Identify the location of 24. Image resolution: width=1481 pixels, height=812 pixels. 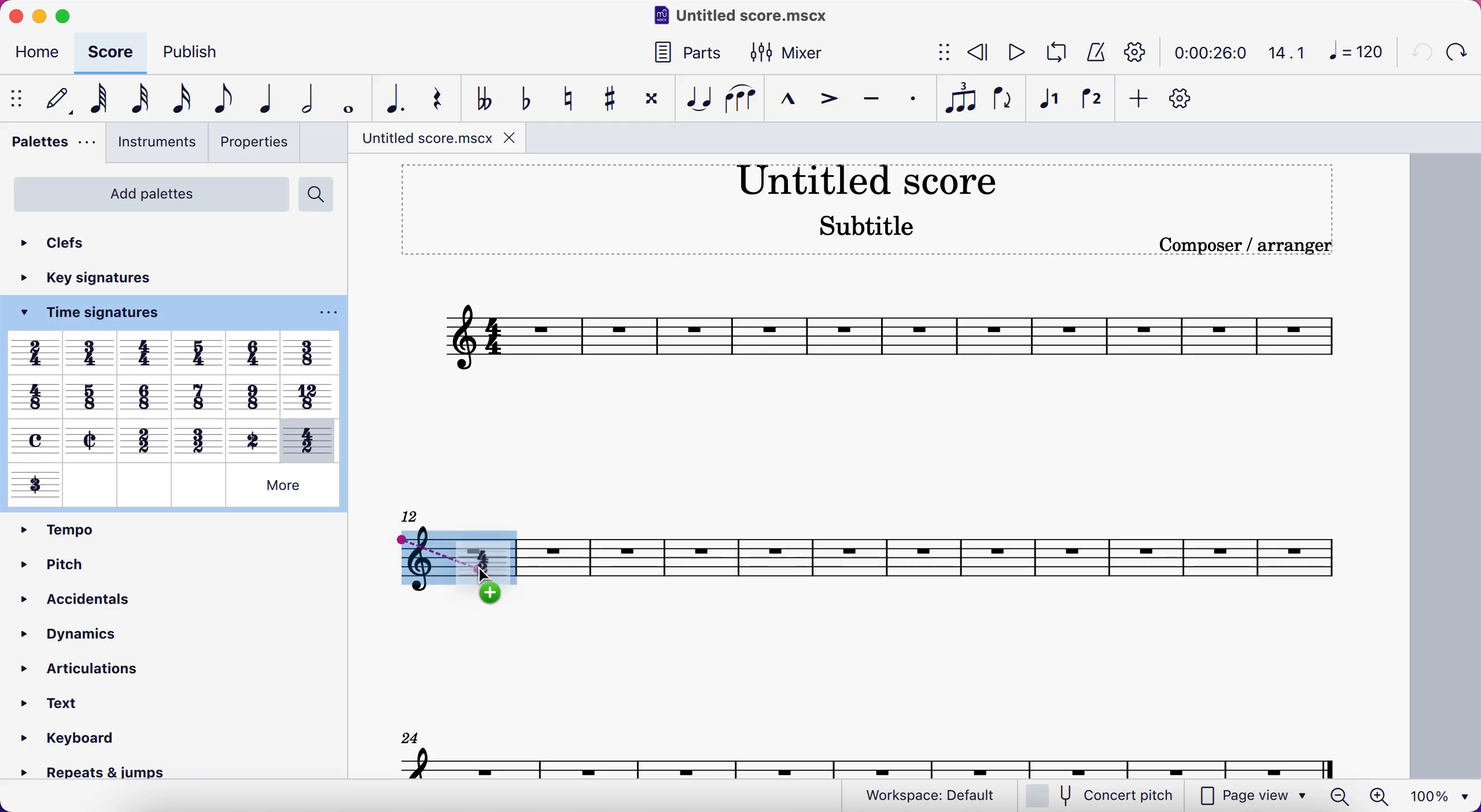
(405, 738).